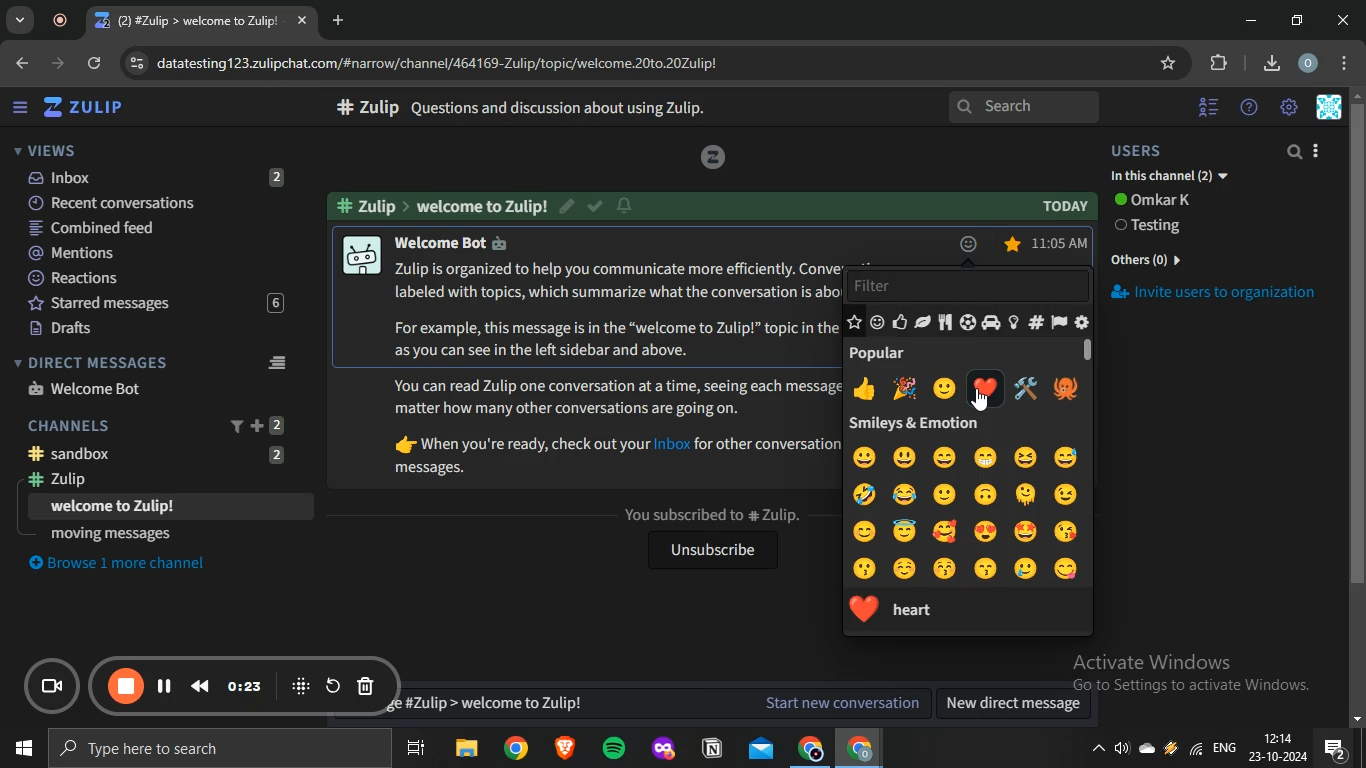 Image resolution: width=1366 pixels, height=768 pixels. I want to click on You subscribed to # Zulip., so click(711, 514).